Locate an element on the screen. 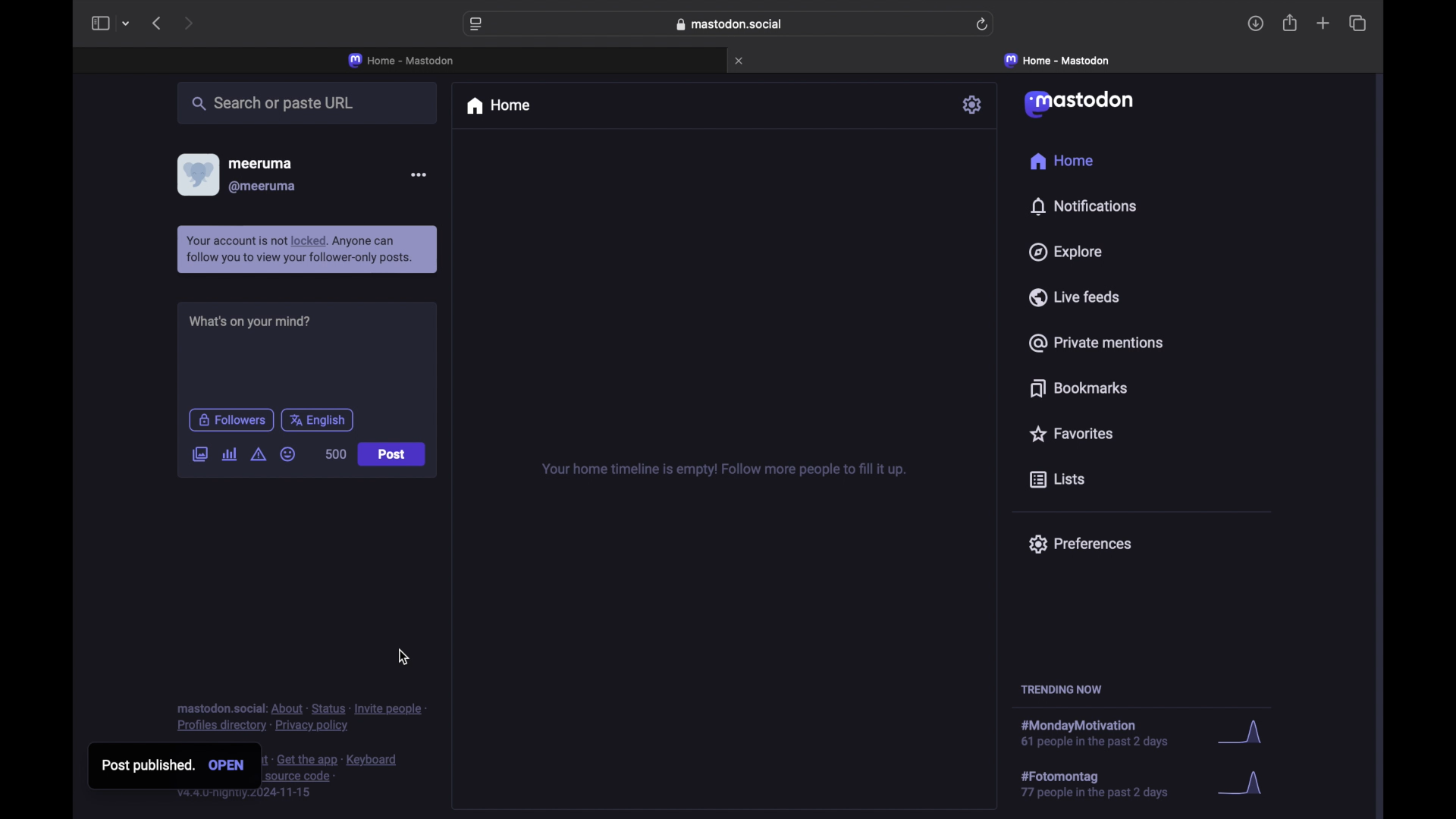 This screenshot has height=819, width=1456. notification is located at coordinates (308, 249).